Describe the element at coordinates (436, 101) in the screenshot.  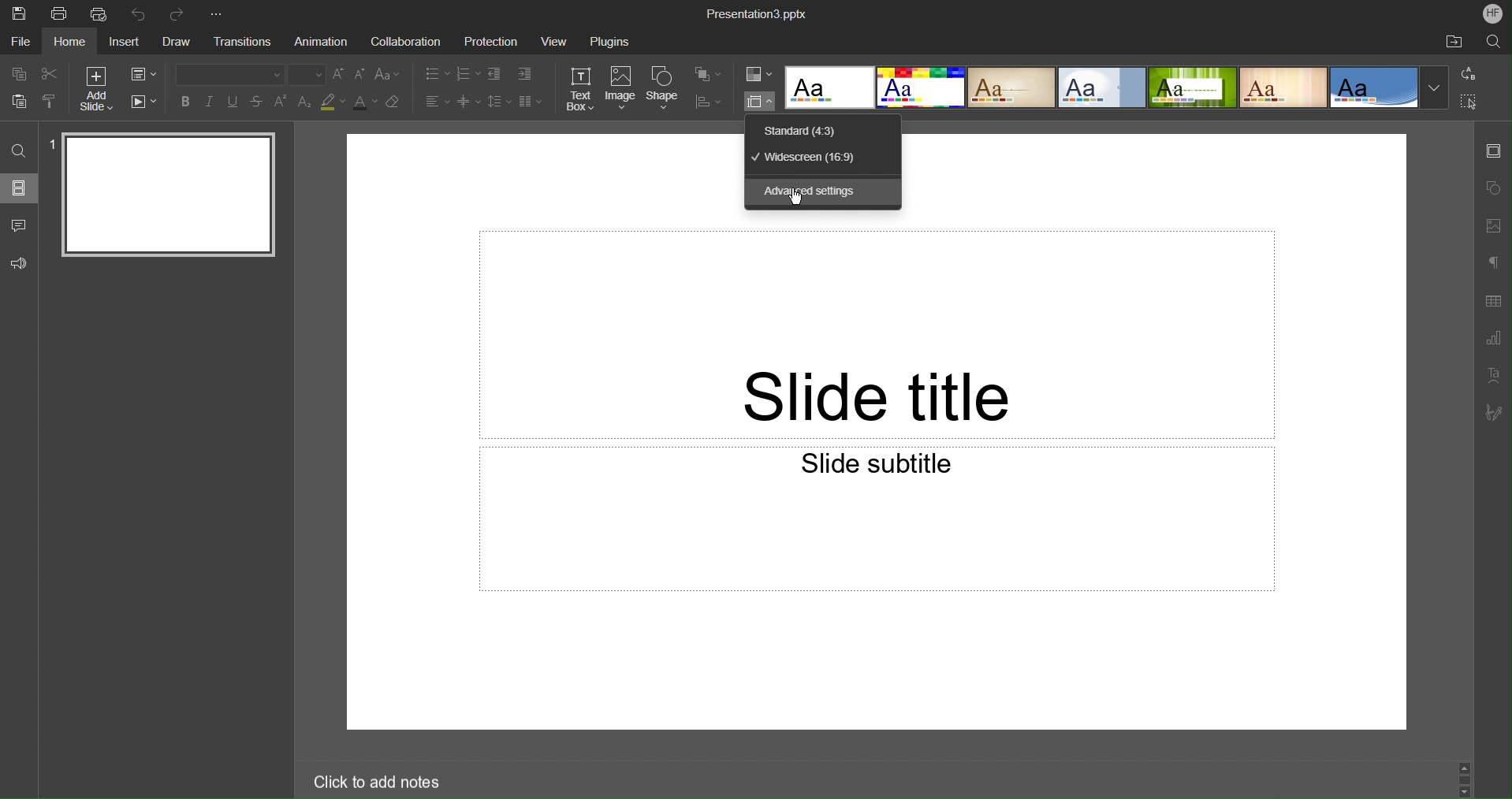
I see `Alignment` at that location.